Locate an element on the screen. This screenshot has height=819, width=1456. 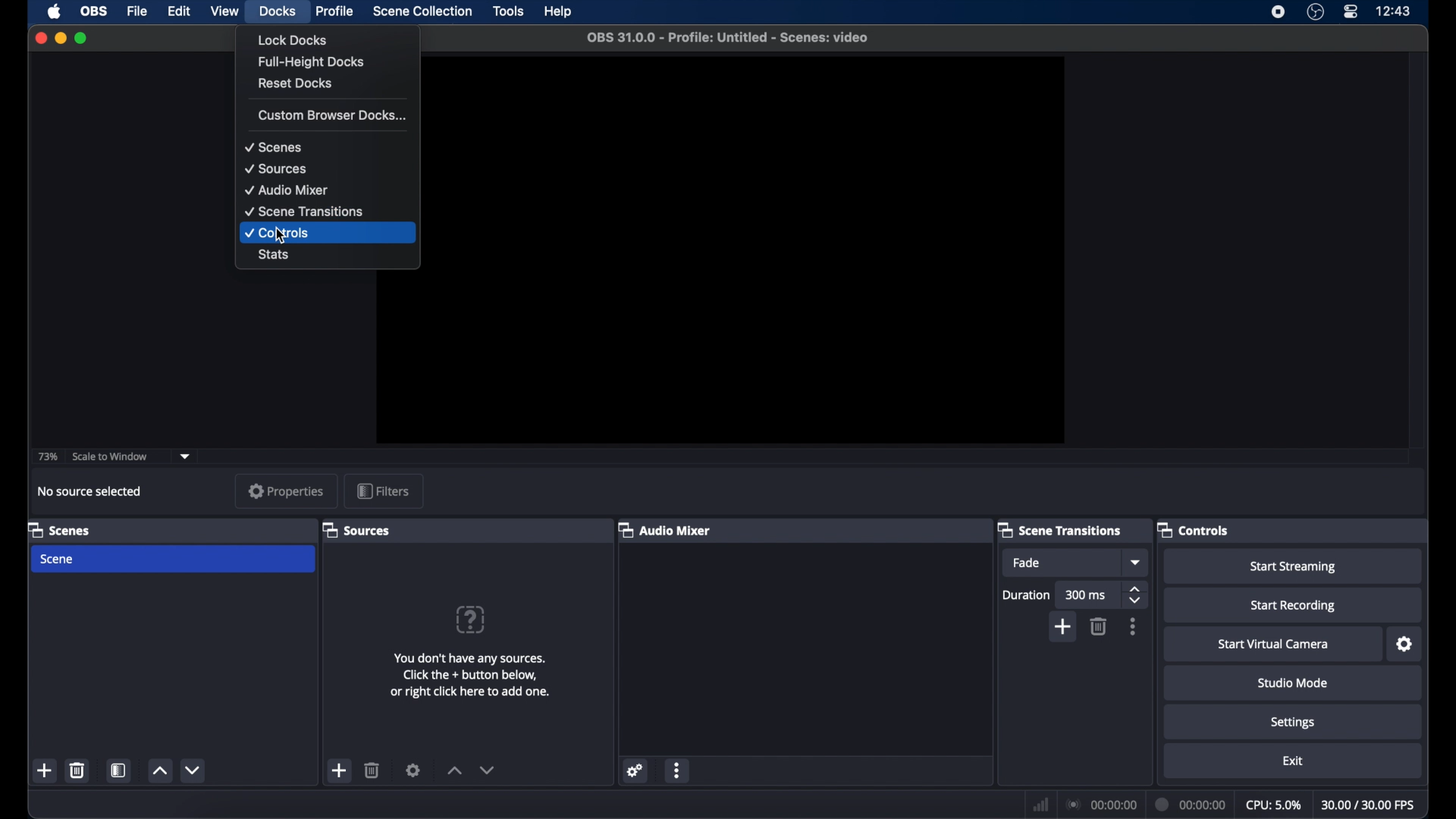
screen recording icon is located at coordinates (1279, 12).